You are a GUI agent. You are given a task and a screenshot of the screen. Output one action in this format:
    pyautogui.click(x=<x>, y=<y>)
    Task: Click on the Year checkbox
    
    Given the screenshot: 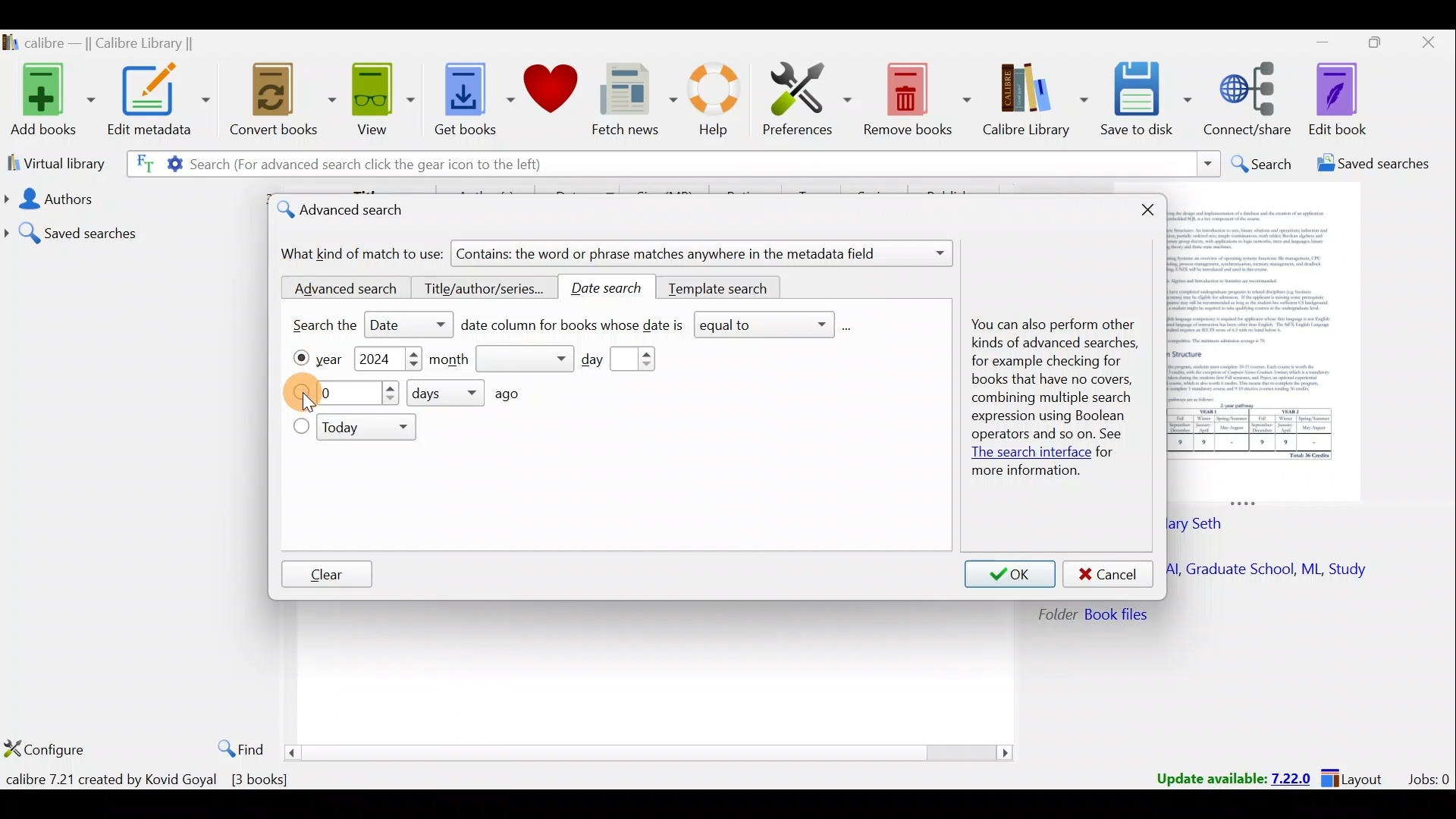 What is the action you would take?
    pyautogui.click(x=300, y=358)
    